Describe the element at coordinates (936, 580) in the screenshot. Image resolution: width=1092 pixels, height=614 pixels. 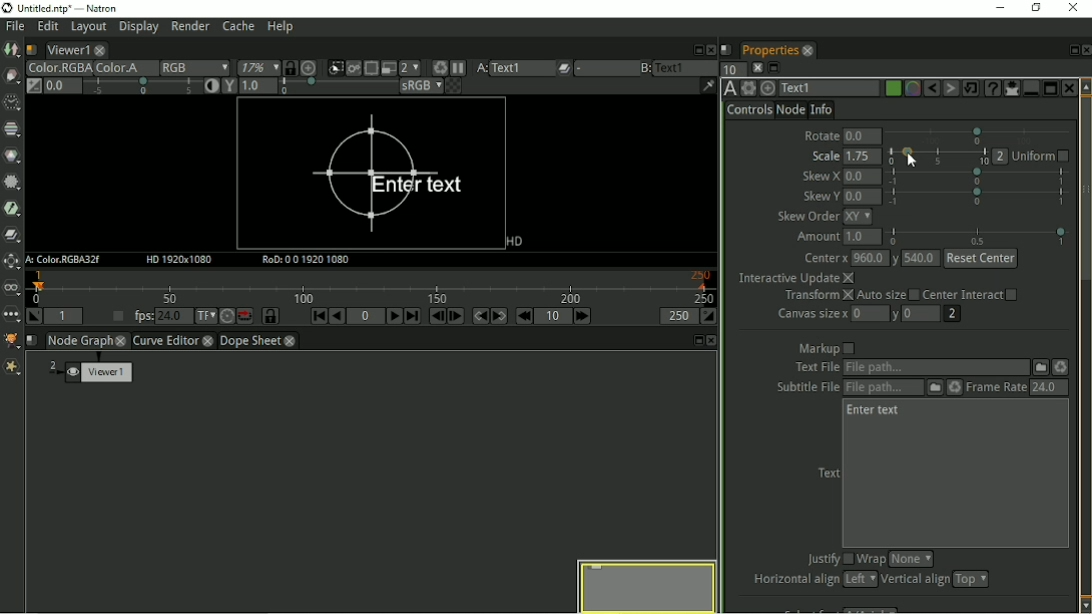
I see `Vertical align` at that location.